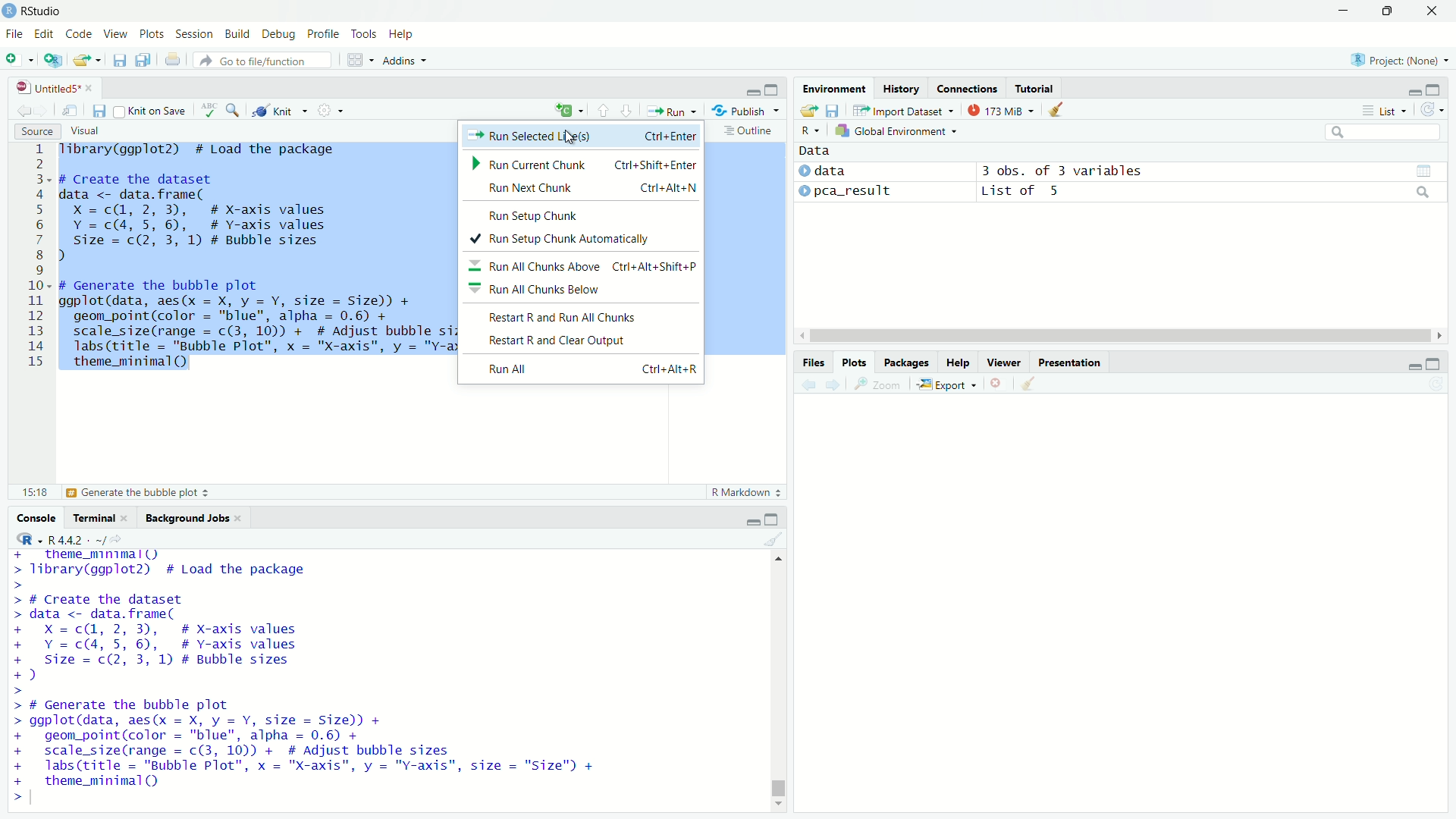  I want to click on help, so click(958, 362).